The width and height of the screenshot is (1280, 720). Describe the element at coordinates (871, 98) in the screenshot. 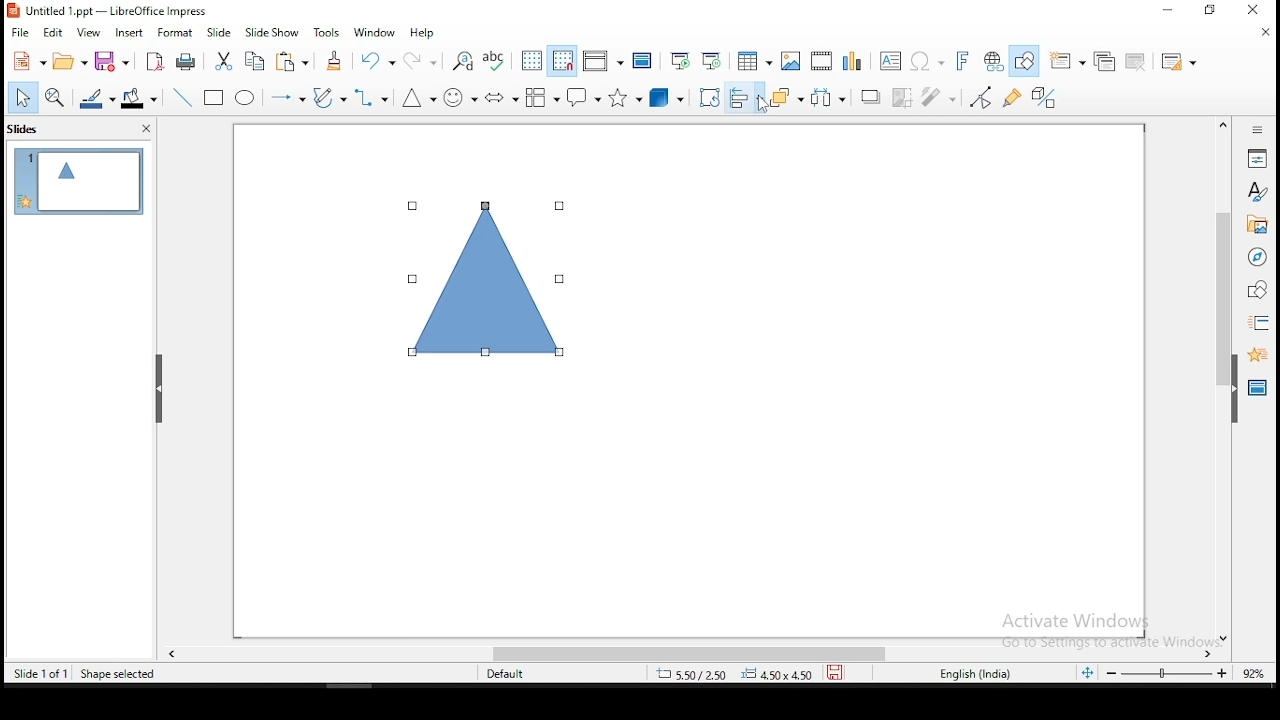

I see `shadow` at that location.